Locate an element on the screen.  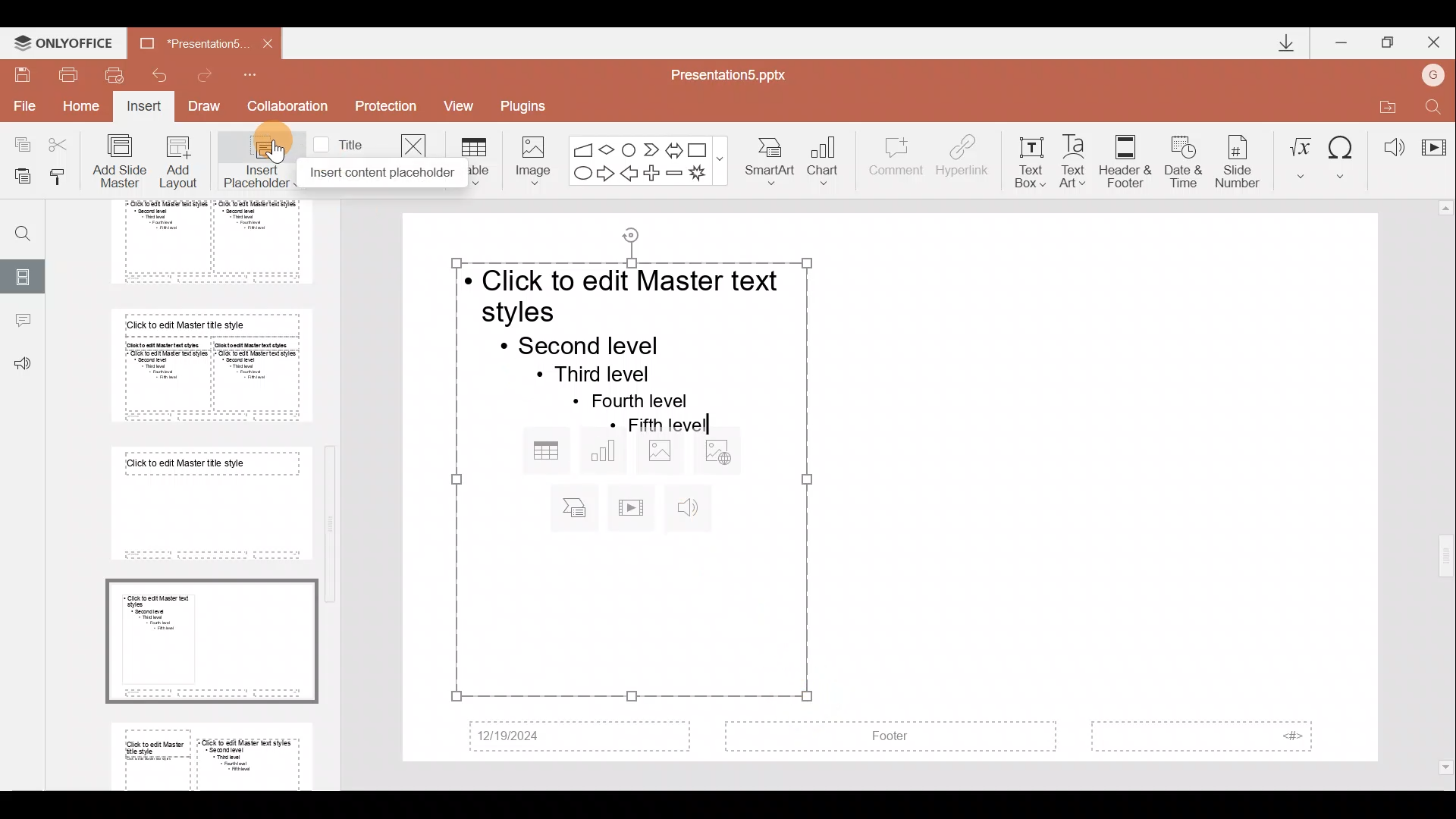
Find is located at coordinates (17, 227).